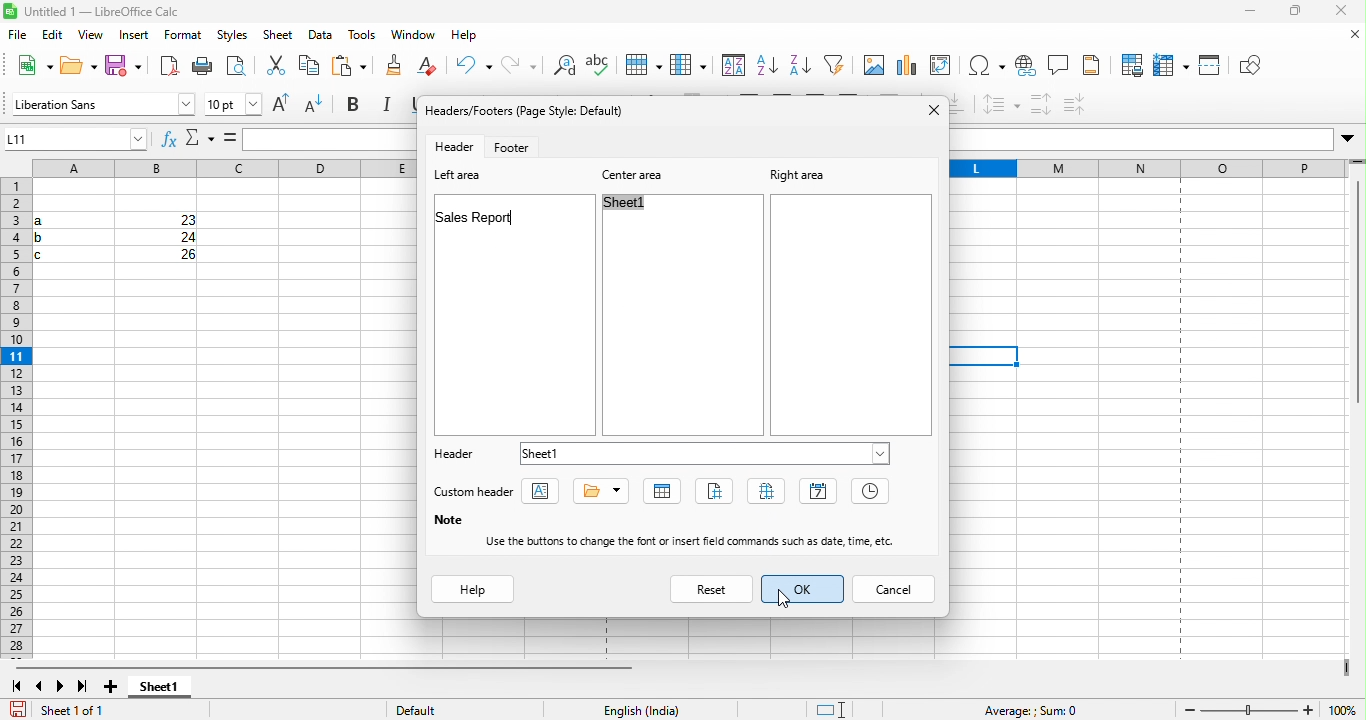  What do you see at coordinates (477, 66) in the screenshot?
I see `redo` at bounding box center [477, 66].